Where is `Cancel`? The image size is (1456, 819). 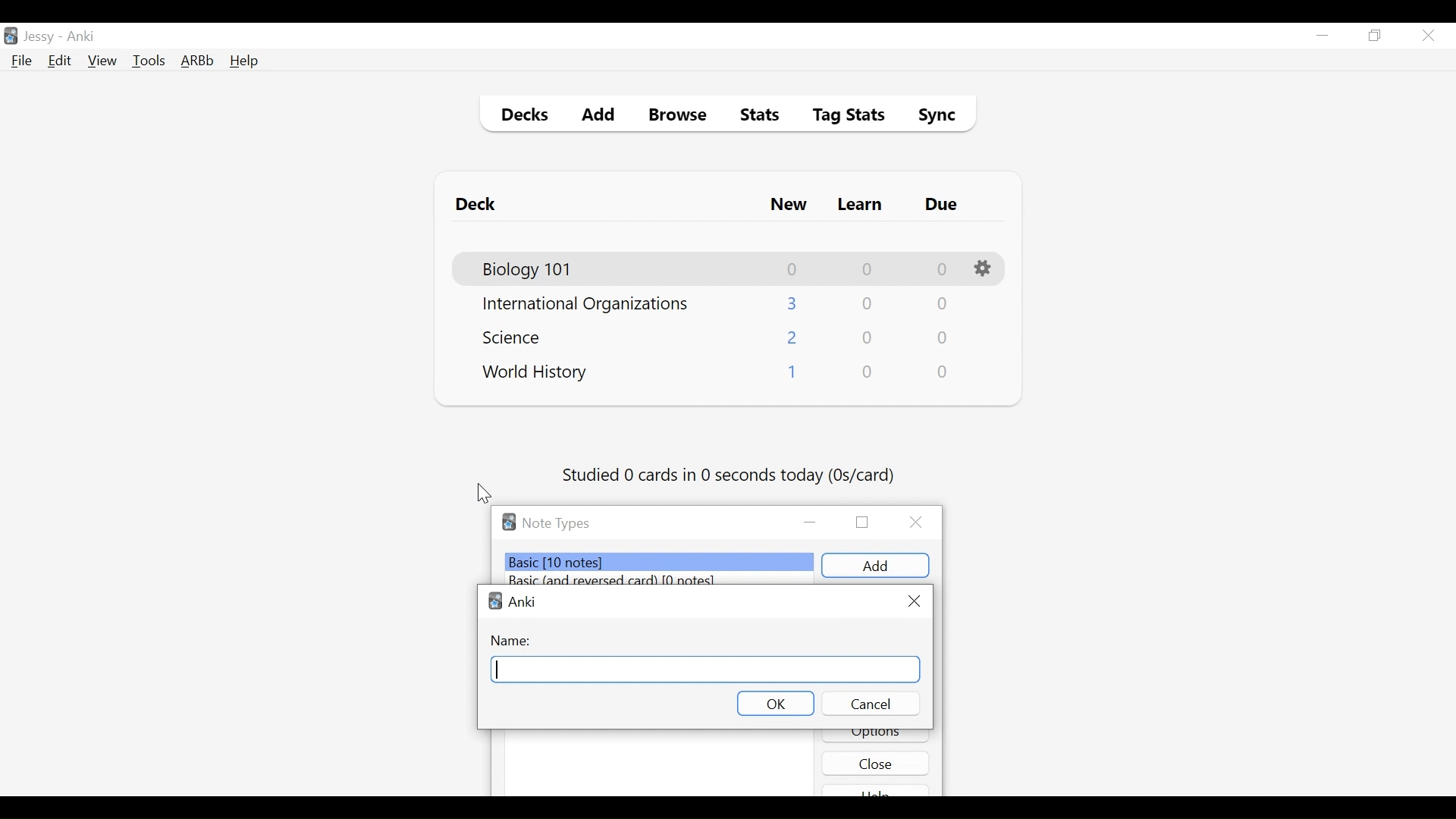 Cancel is located at coordinates (870, 703).